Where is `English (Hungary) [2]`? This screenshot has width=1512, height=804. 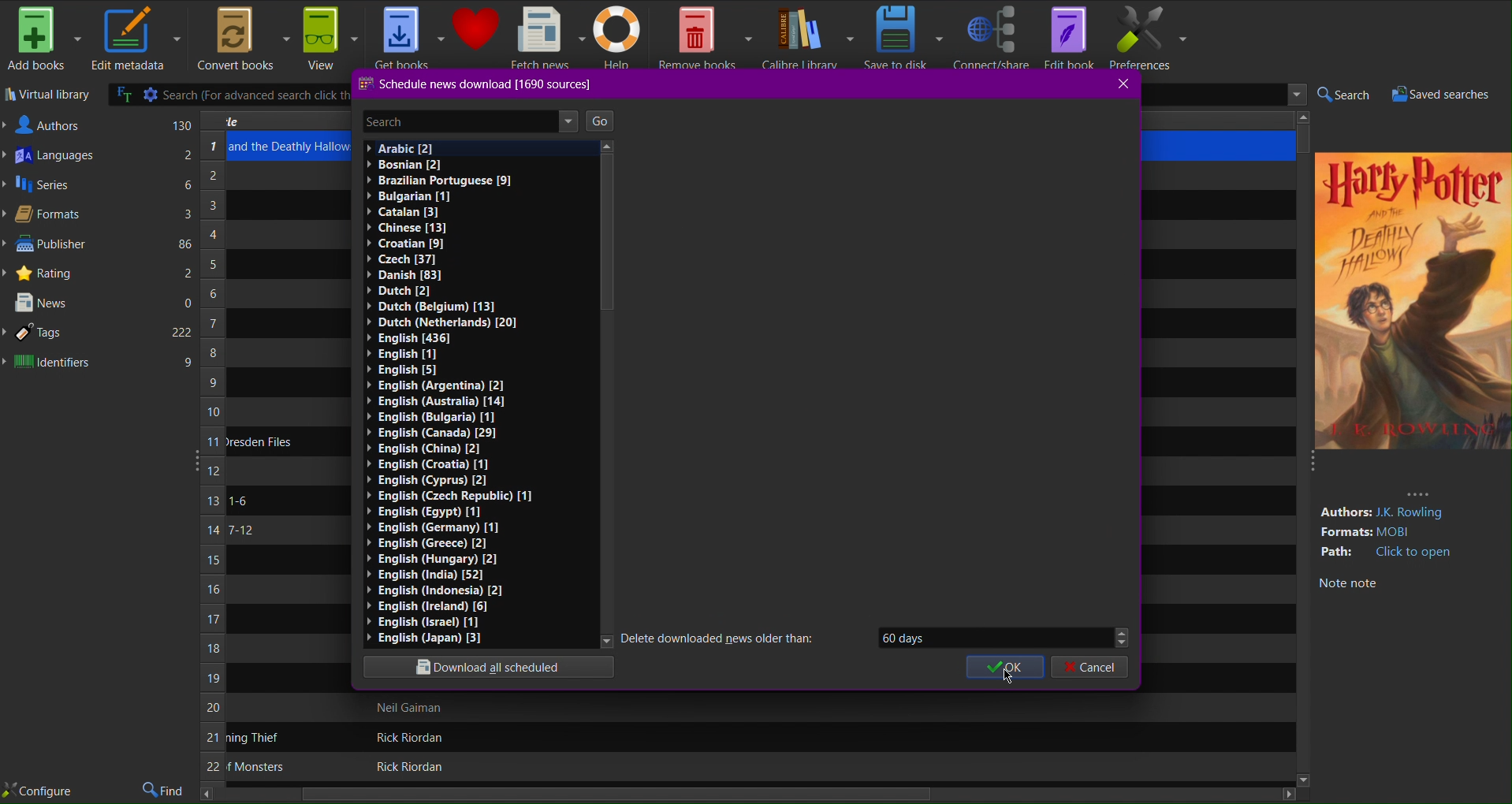
English (Hungary) [2] is located at coordinates (431, 558).